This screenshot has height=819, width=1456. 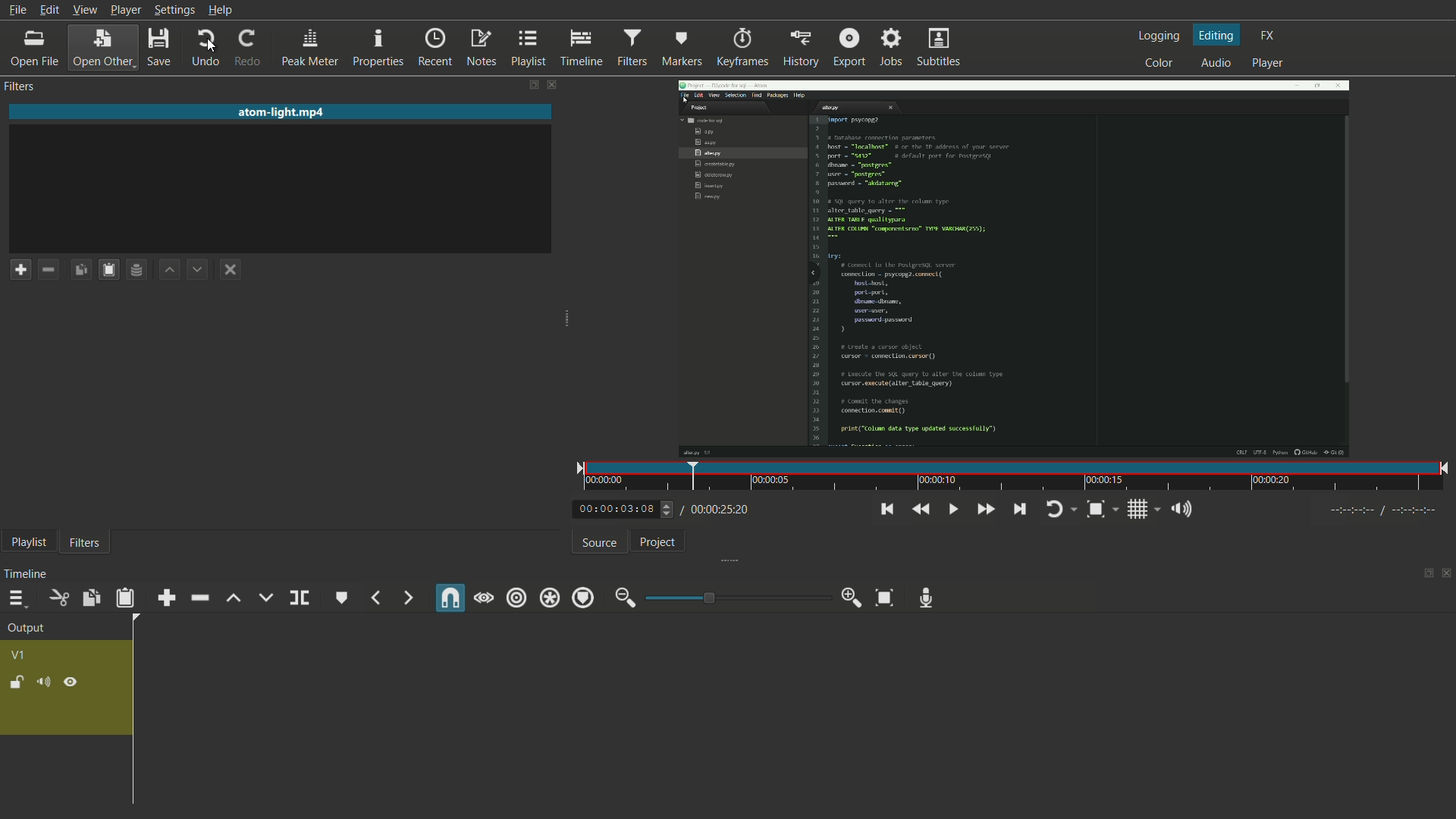 What do you see at coordinates (681, 48) in the screenshot?
I see `markers` at bounding box center [681, 48].